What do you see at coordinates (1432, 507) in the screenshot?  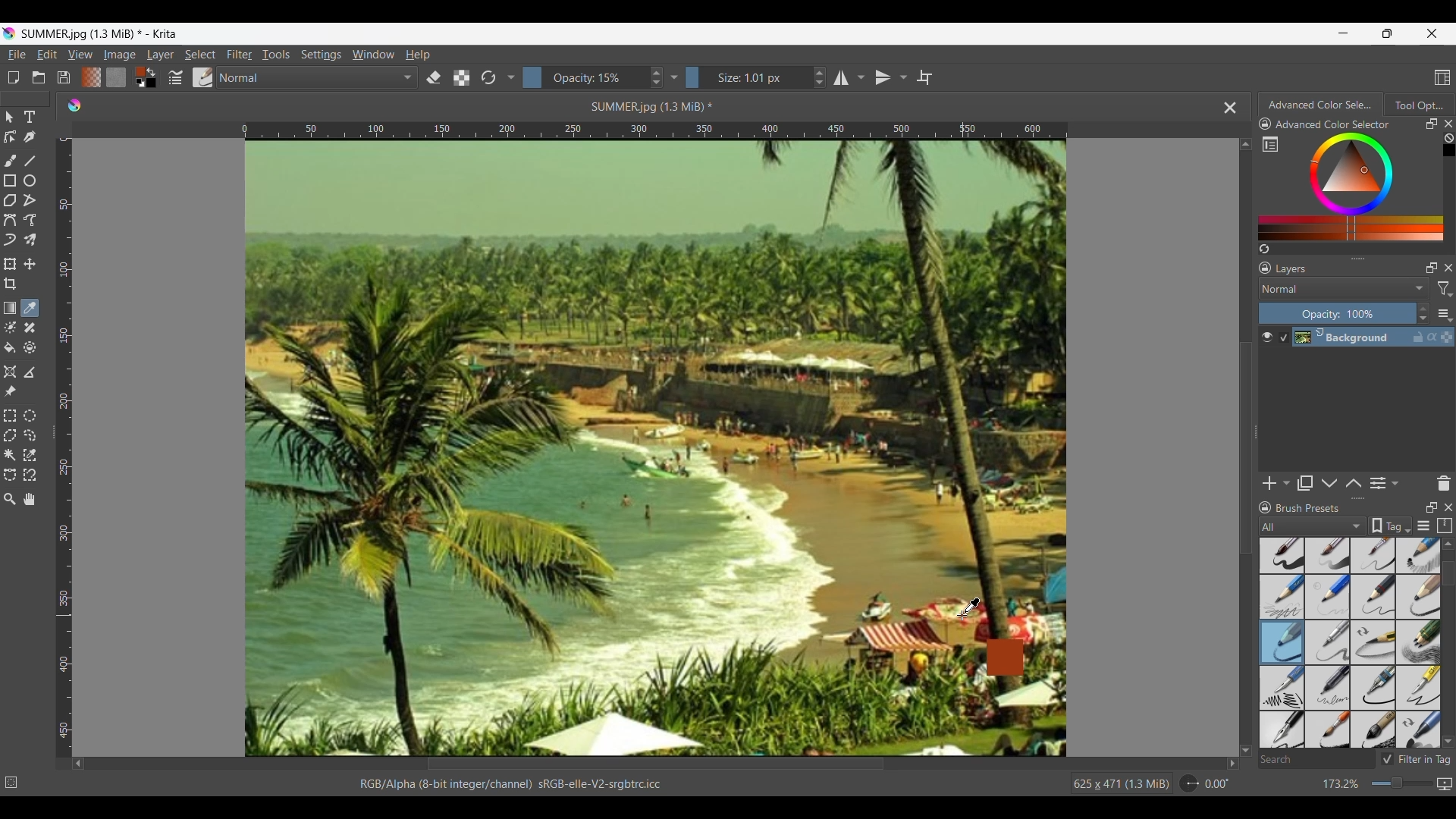 I see `Float` at bounding box center [1432, 507].